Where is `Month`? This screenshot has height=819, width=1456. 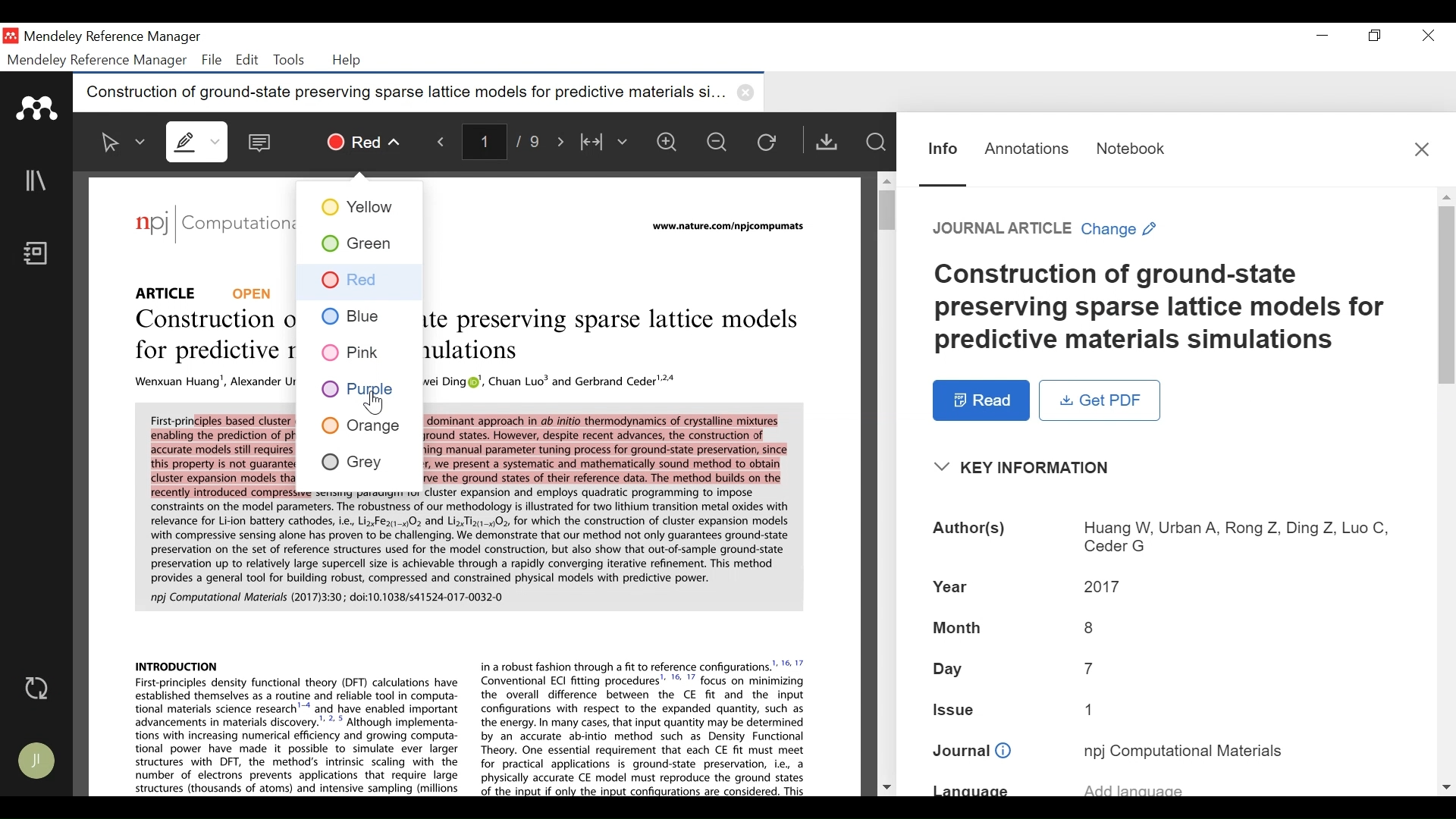 Month is located at coordinates (955, 628).